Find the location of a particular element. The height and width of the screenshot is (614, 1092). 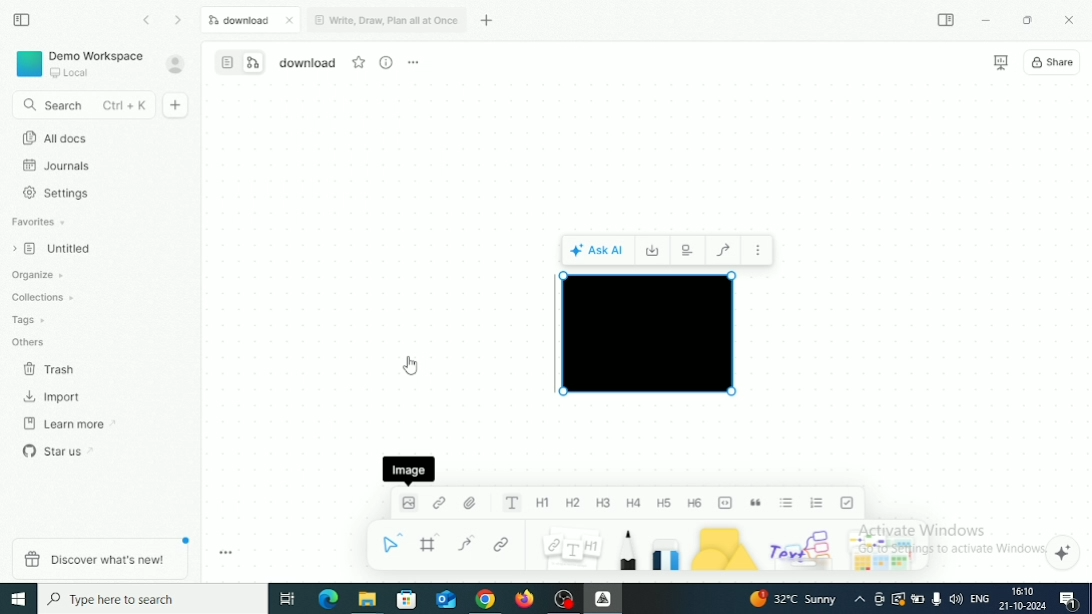

Switch is located at coordinates (240, 62).